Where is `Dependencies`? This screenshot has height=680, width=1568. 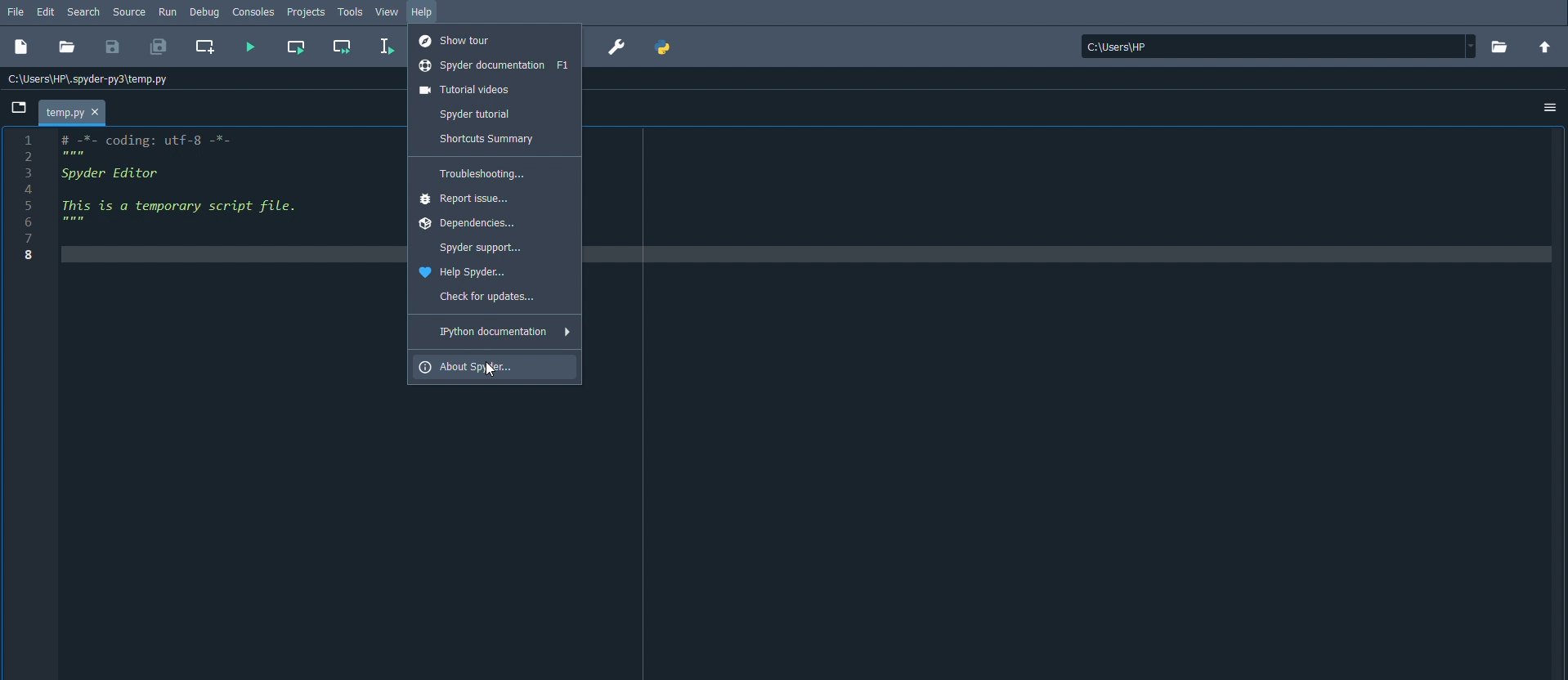
Dependencies is located at coordinates (470, 222).